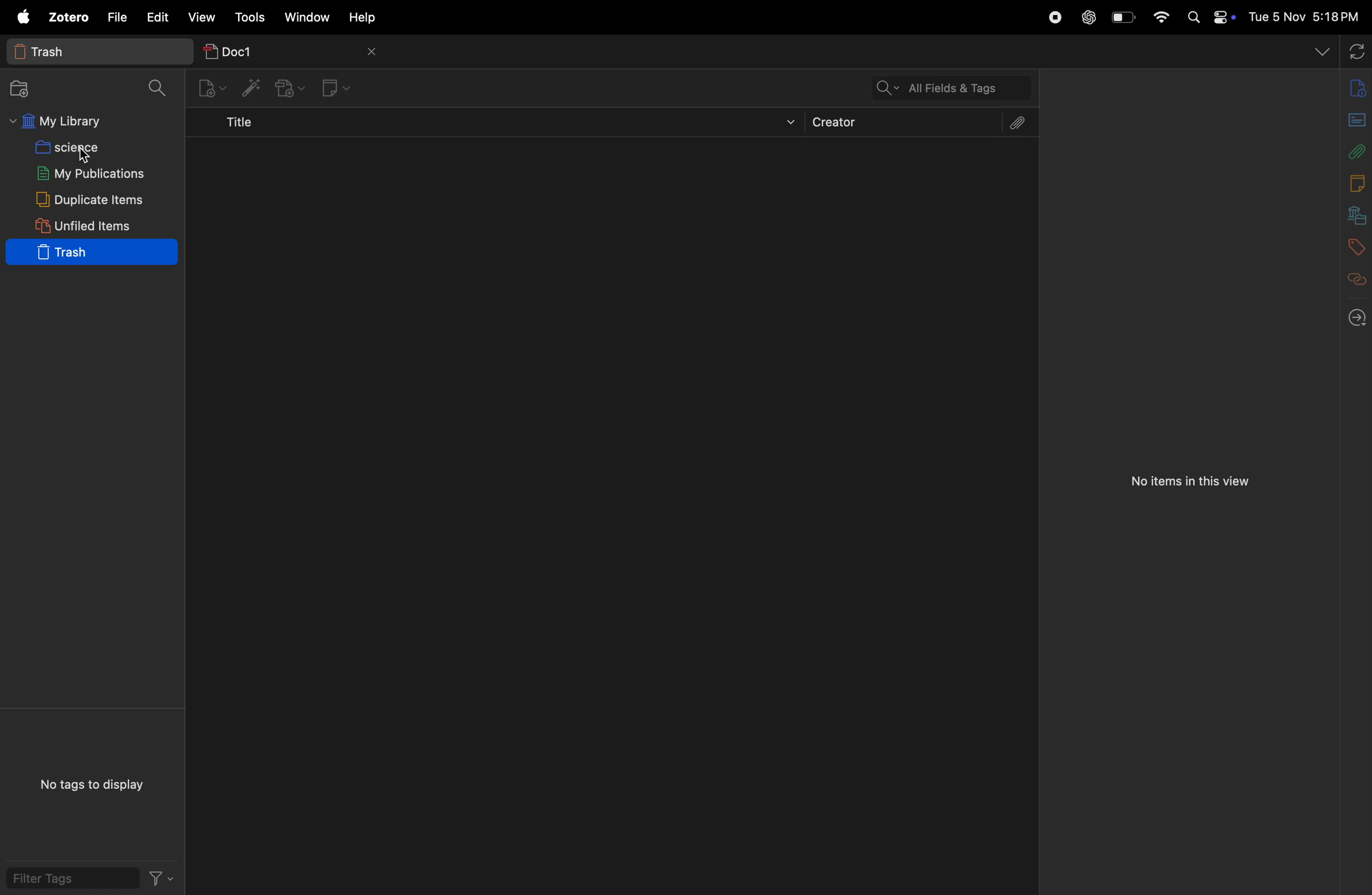 This screenshot has height=895, width=1372. What do you see at coordinates (86, 224) in the screenshot?
I see `unified items` at bounding box center [86, 224].